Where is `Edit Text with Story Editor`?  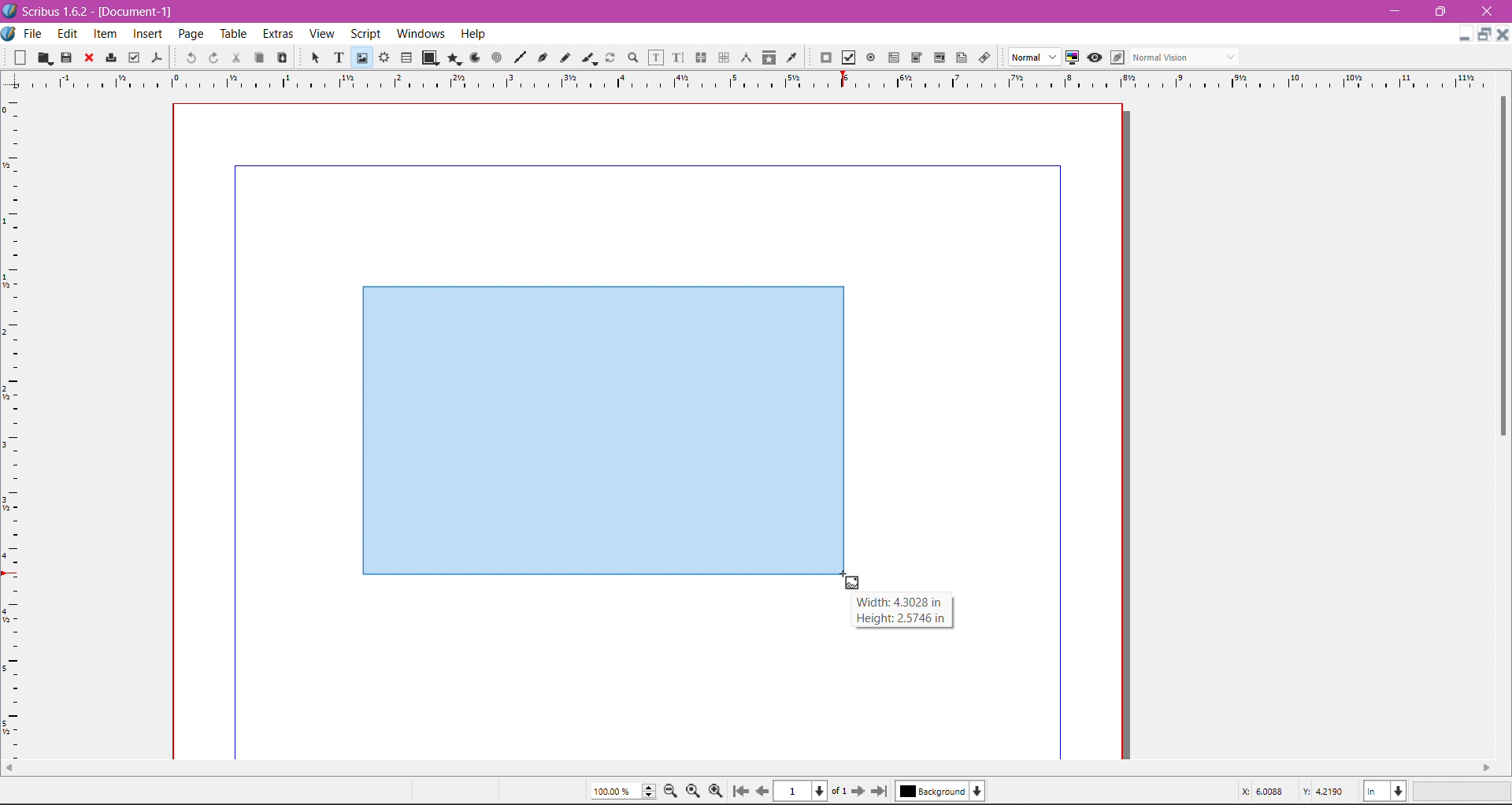
Edit Text with Story Editor is located at coordinates (678, 57).